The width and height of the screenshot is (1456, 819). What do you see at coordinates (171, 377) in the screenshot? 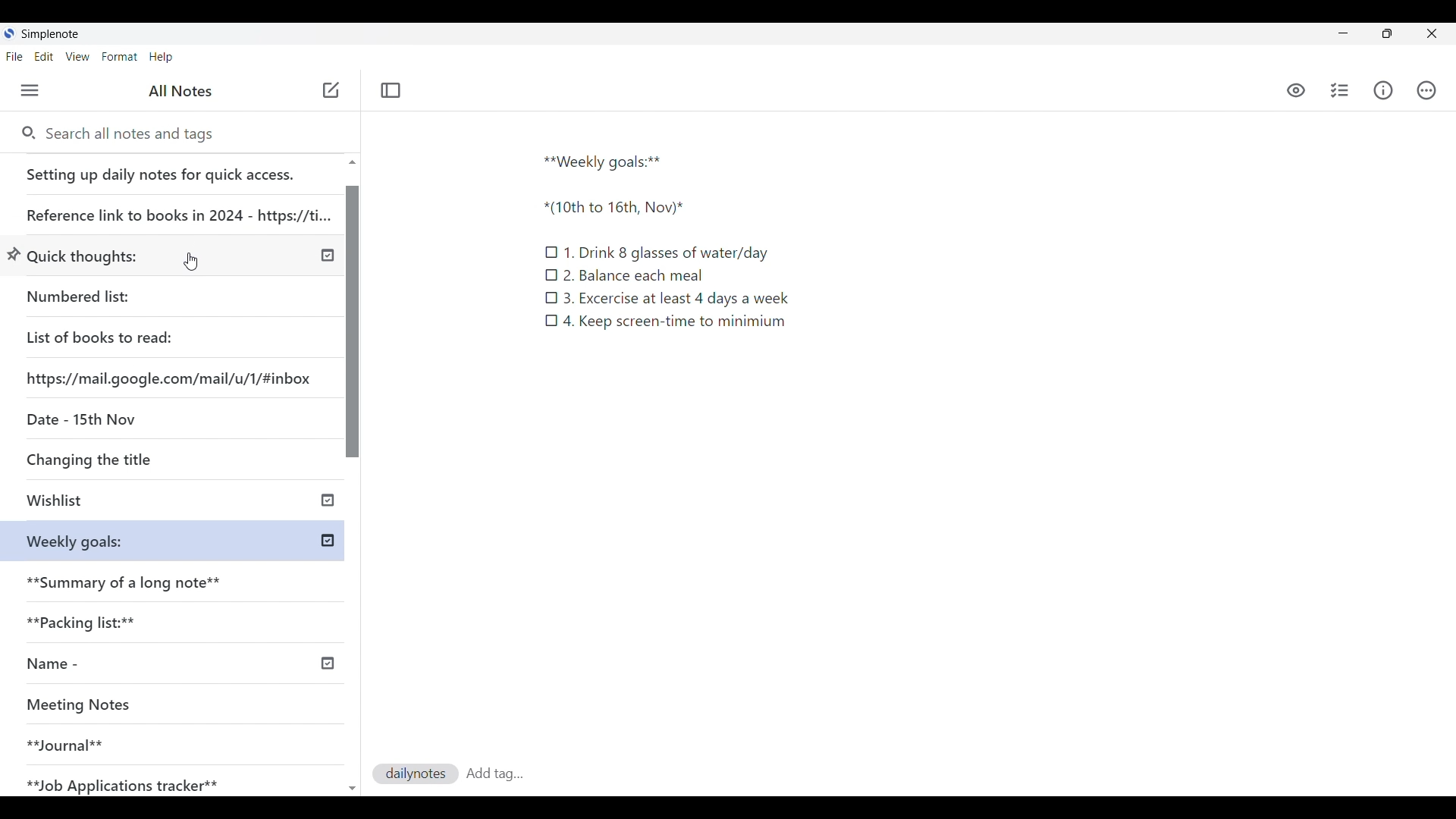
I see `Website` at bounding box center [171, 377].